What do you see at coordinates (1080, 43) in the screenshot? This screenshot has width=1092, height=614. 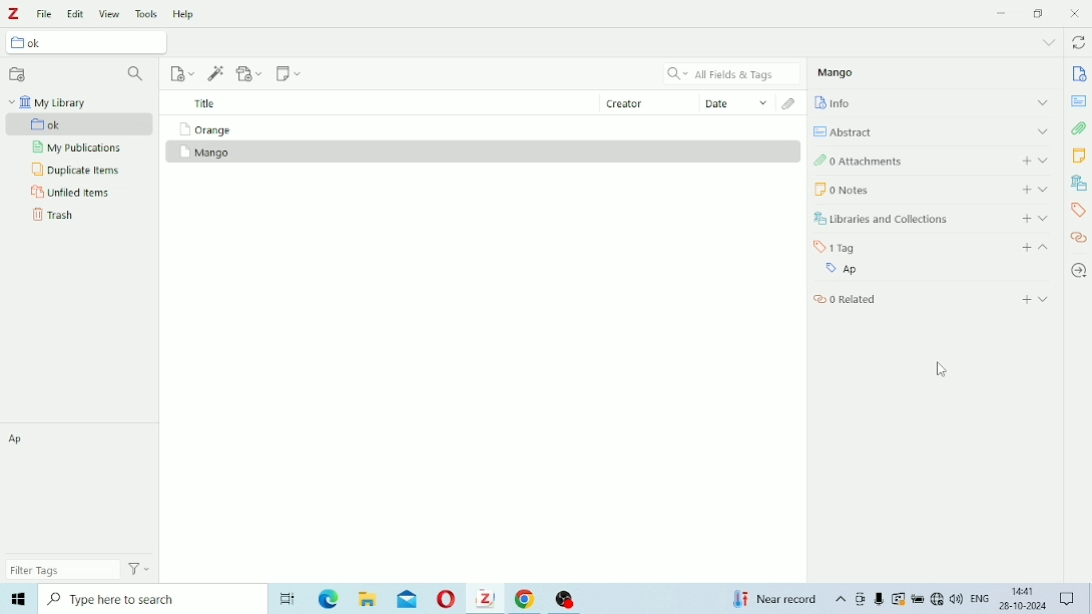 I see `Sync` at bounding box center [1080, 43].